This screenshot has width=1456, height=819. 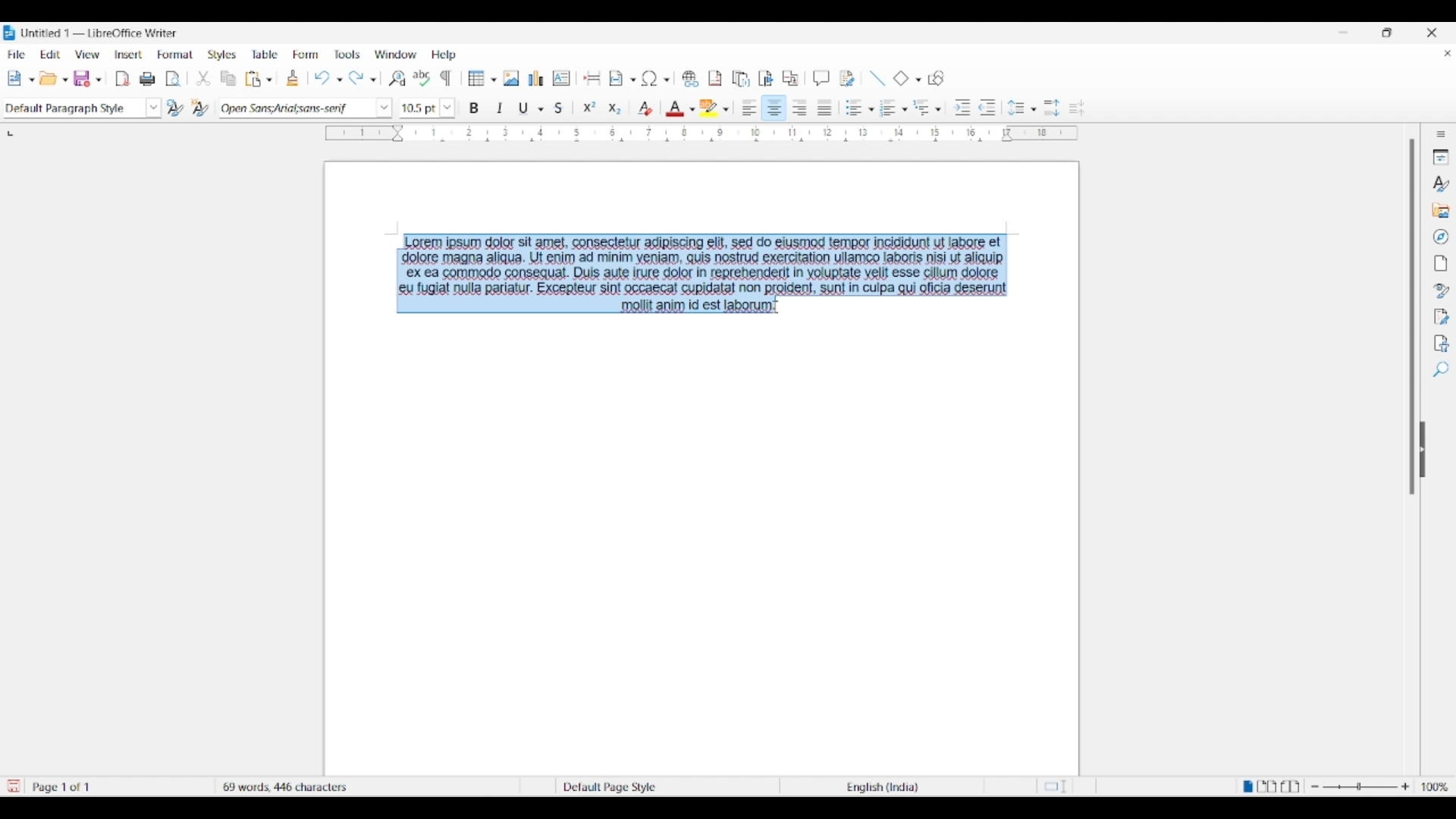 I want to click on Insert line, so click(x=877, y=79).